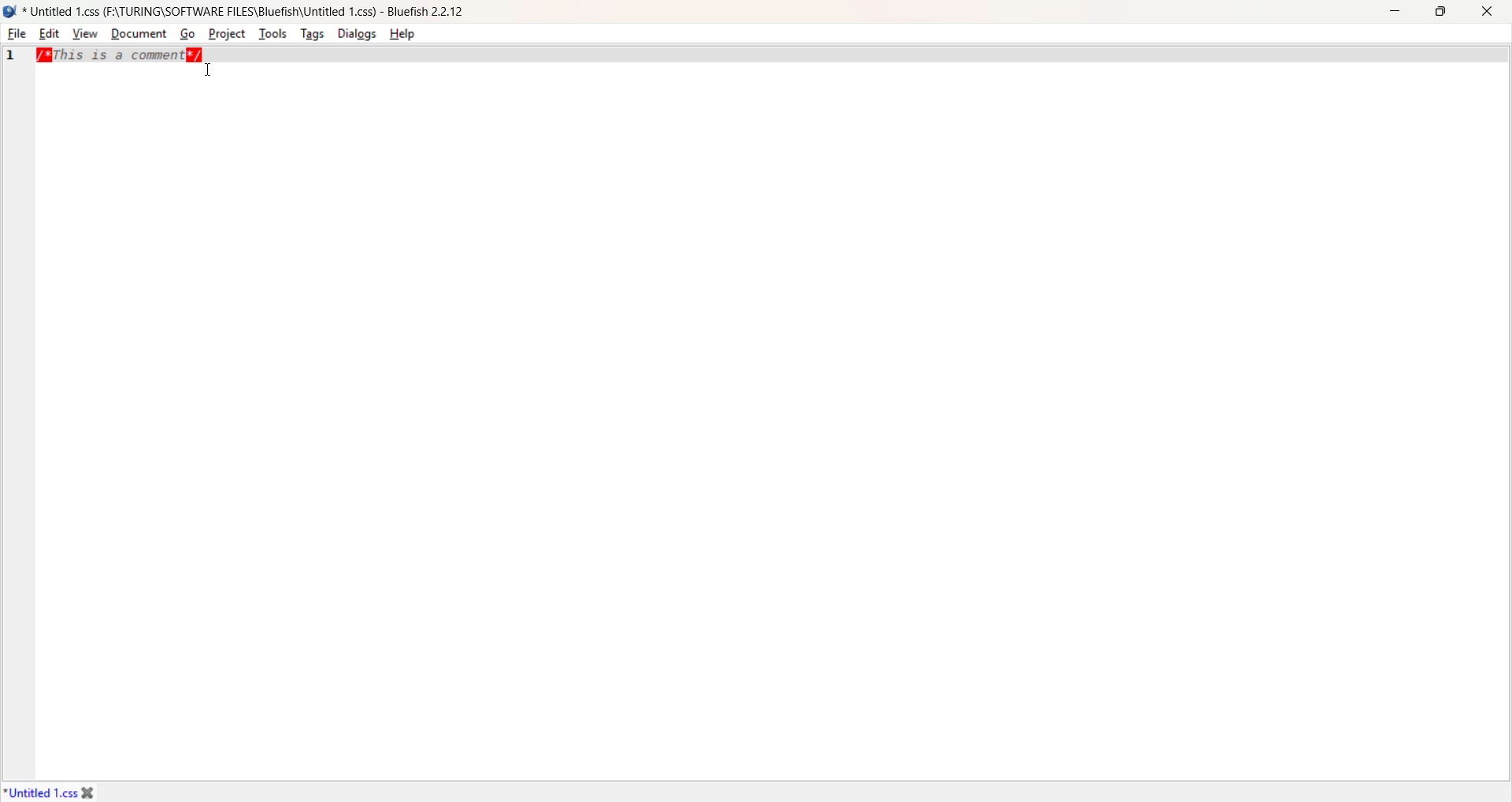  I want to click on File, so click(17, 33).